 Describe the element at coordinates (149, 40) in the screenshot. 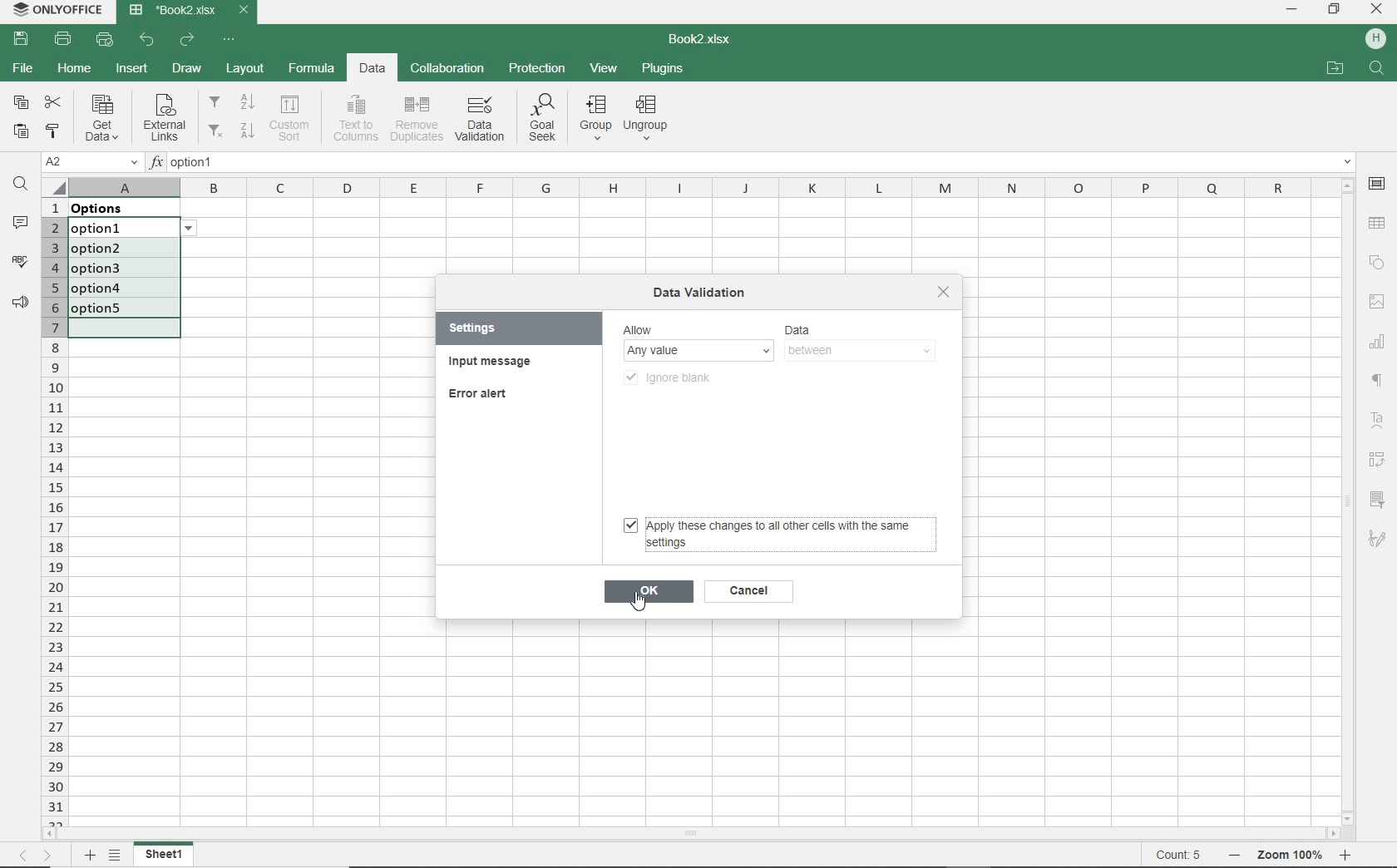

I see `UNDO` at that location.